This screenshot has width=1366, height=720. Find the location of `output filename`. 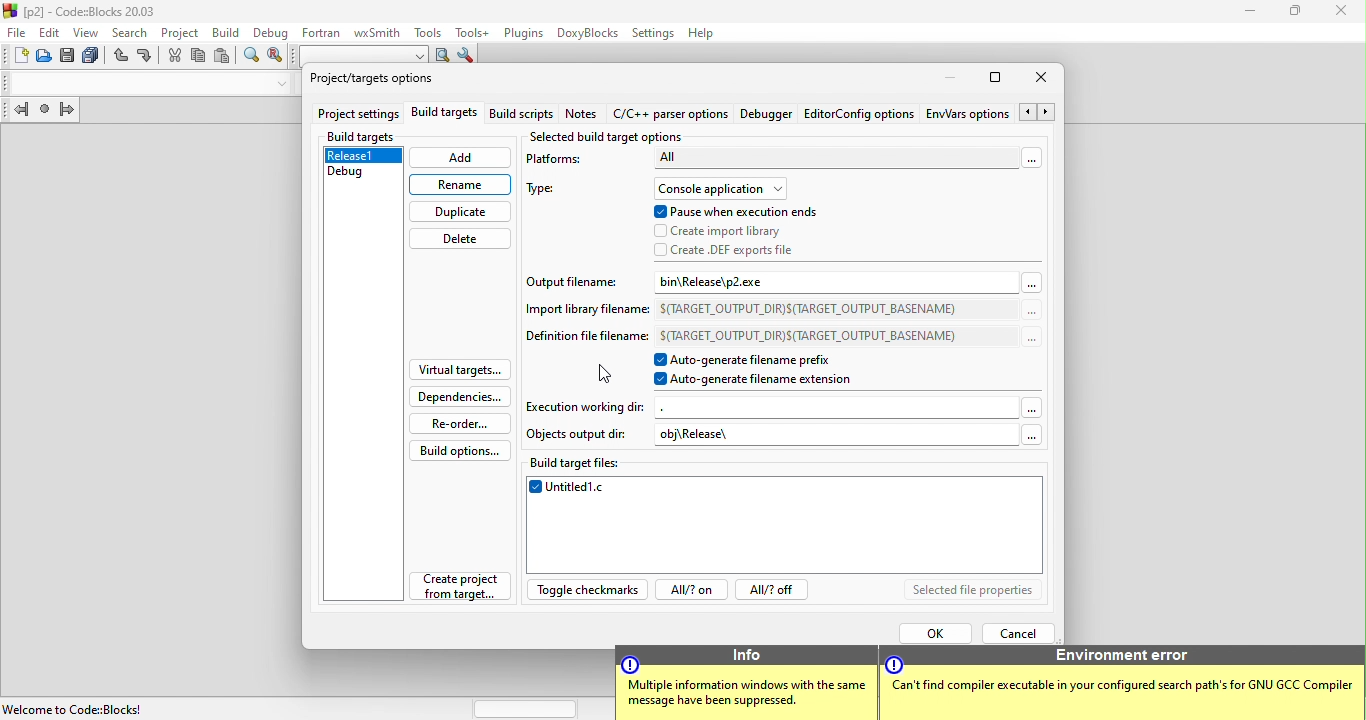

output filename is located at coordinates (572, 285).